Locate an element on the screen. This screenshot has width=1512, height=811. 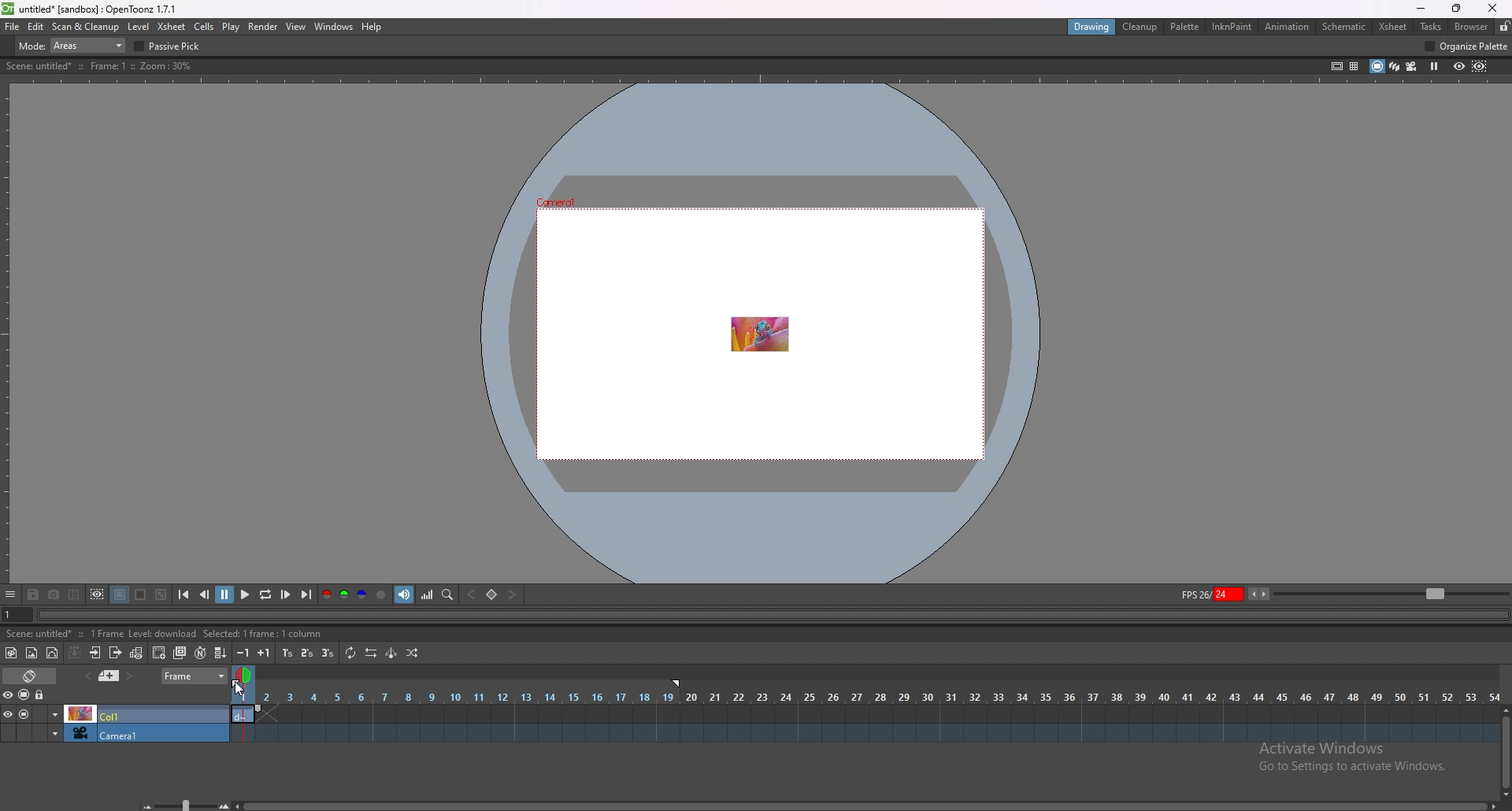
save is located at coordinates (33, 595).